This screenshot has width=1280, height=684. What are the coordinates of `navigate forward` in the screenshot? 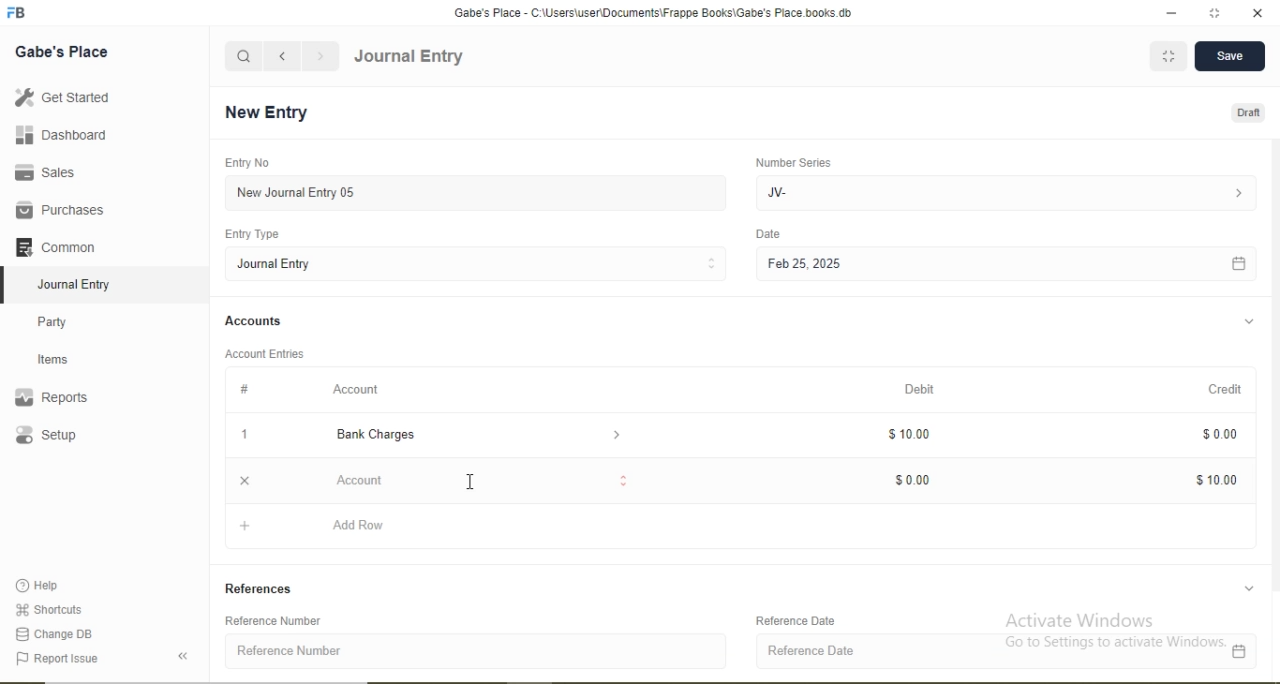 It's located at (322, 56).